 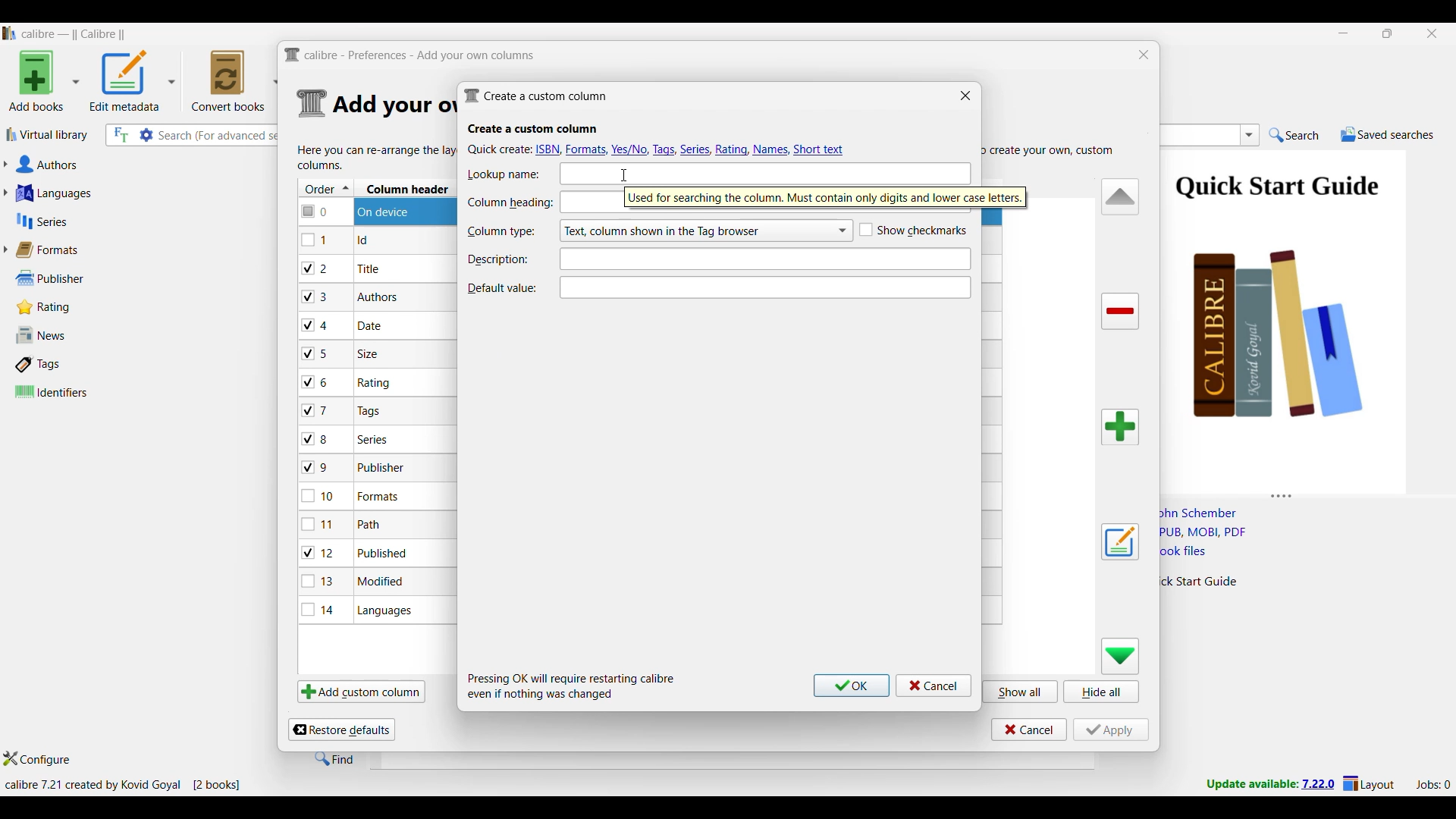 What do you see at coordinates (1120, 542) in the screenshot?
I see `Edit settings of a user defined column` at bounding box center [1120, 542].